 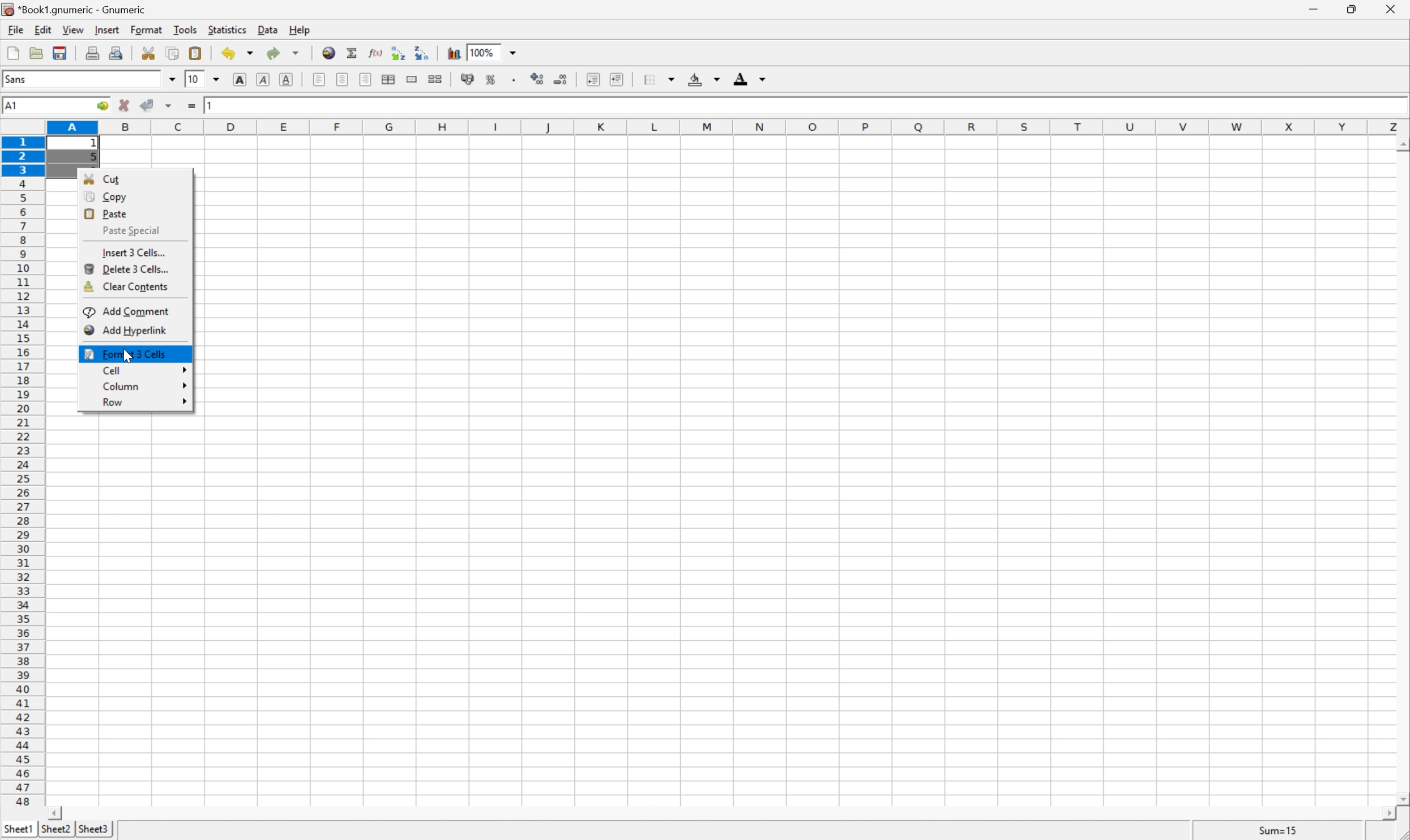 I want to click on edit, so click(x=44, y=28).